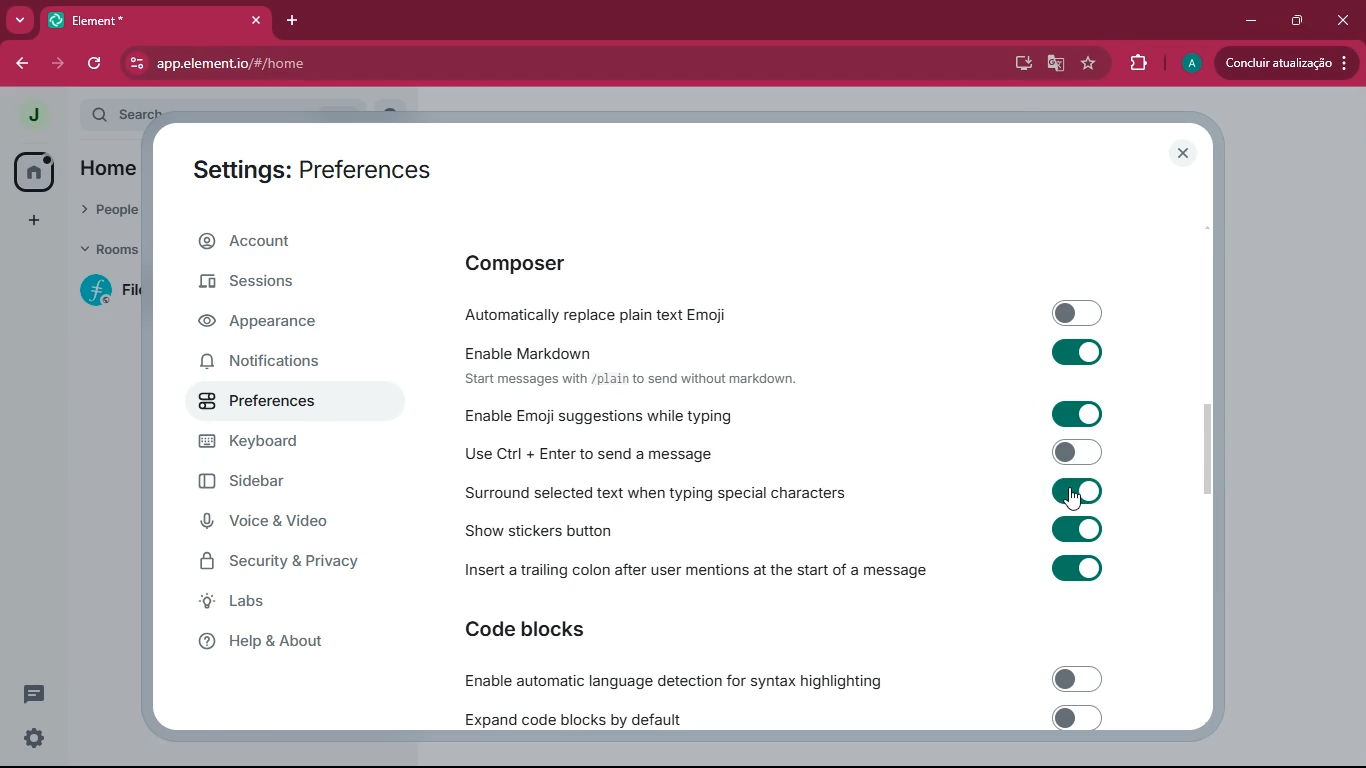 This screenshot has height=768, width=1366. I want to click on app.element.io/#/home, so click(349, 64).